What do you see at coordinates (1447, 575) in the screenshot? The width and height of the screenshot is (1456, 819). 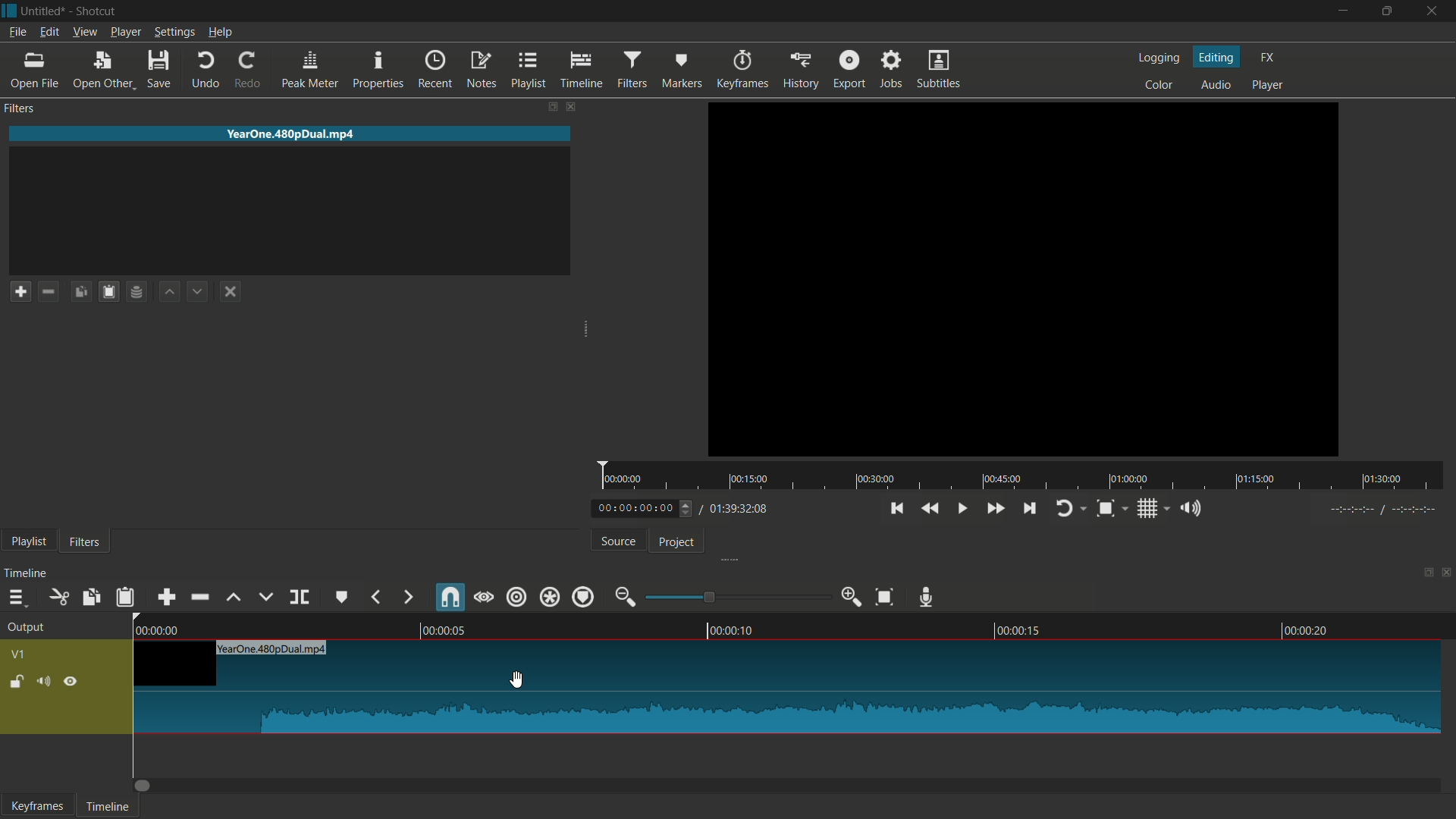 I see `close timeline` at bounding box center [1447, 575].